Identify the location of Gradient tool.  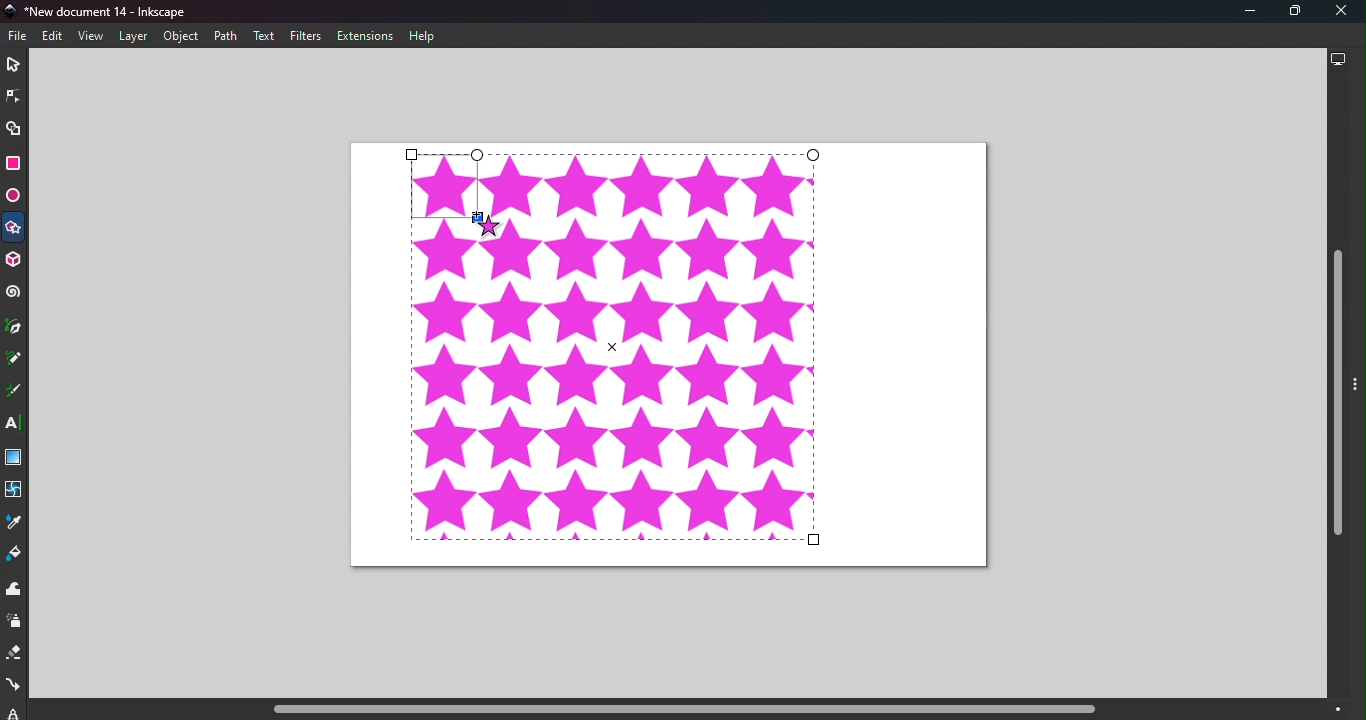
(15, 459).